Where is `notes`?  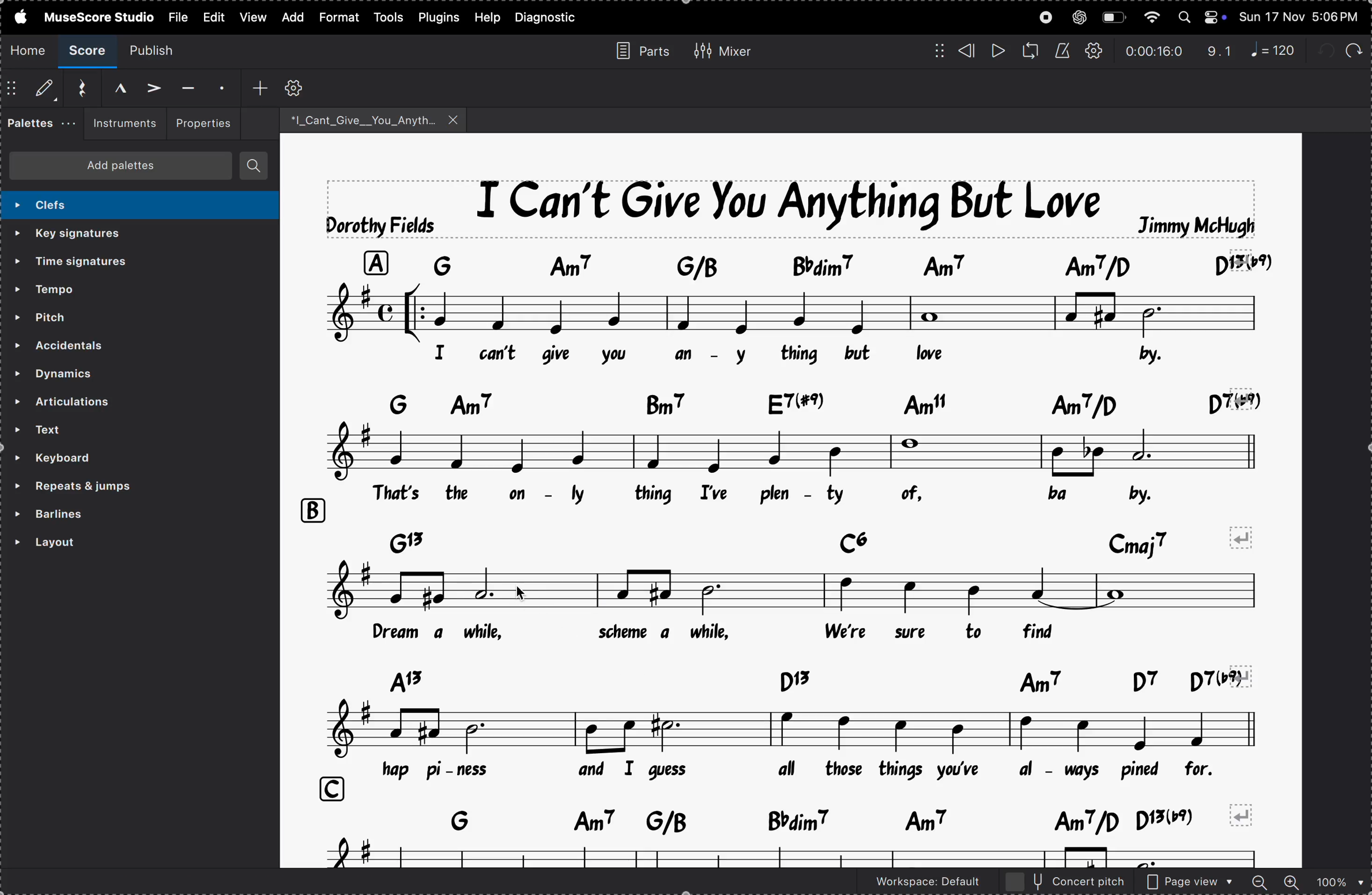
notes is located at coordinates (789, 729).